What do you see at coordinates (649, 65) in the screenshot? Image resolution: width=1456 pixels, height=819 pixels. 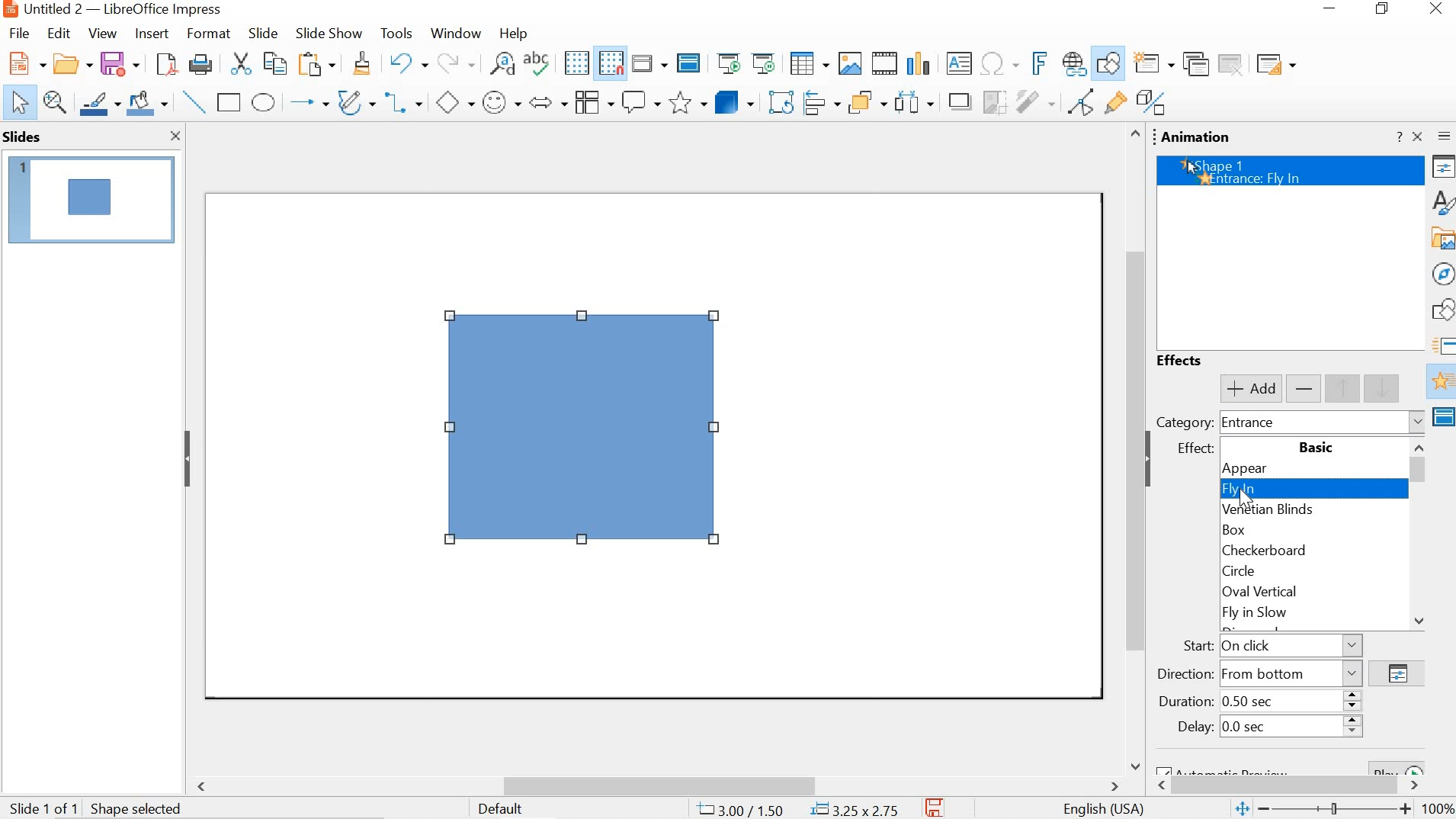 I see `display views` at bounding box center [649, 65].